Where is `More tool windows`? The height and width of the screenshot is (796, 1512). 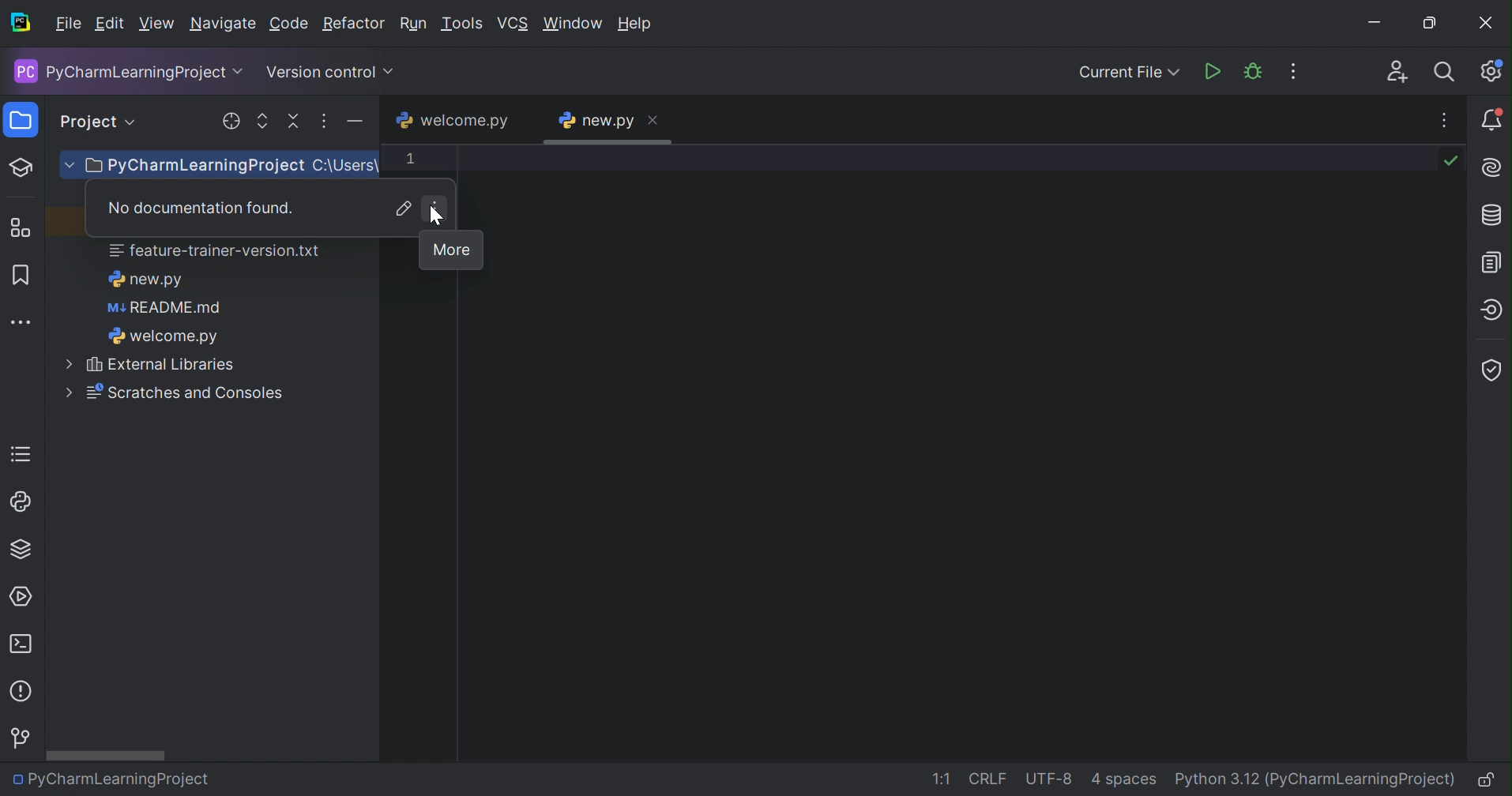 More tool windows is located at coordinates (22, 321).